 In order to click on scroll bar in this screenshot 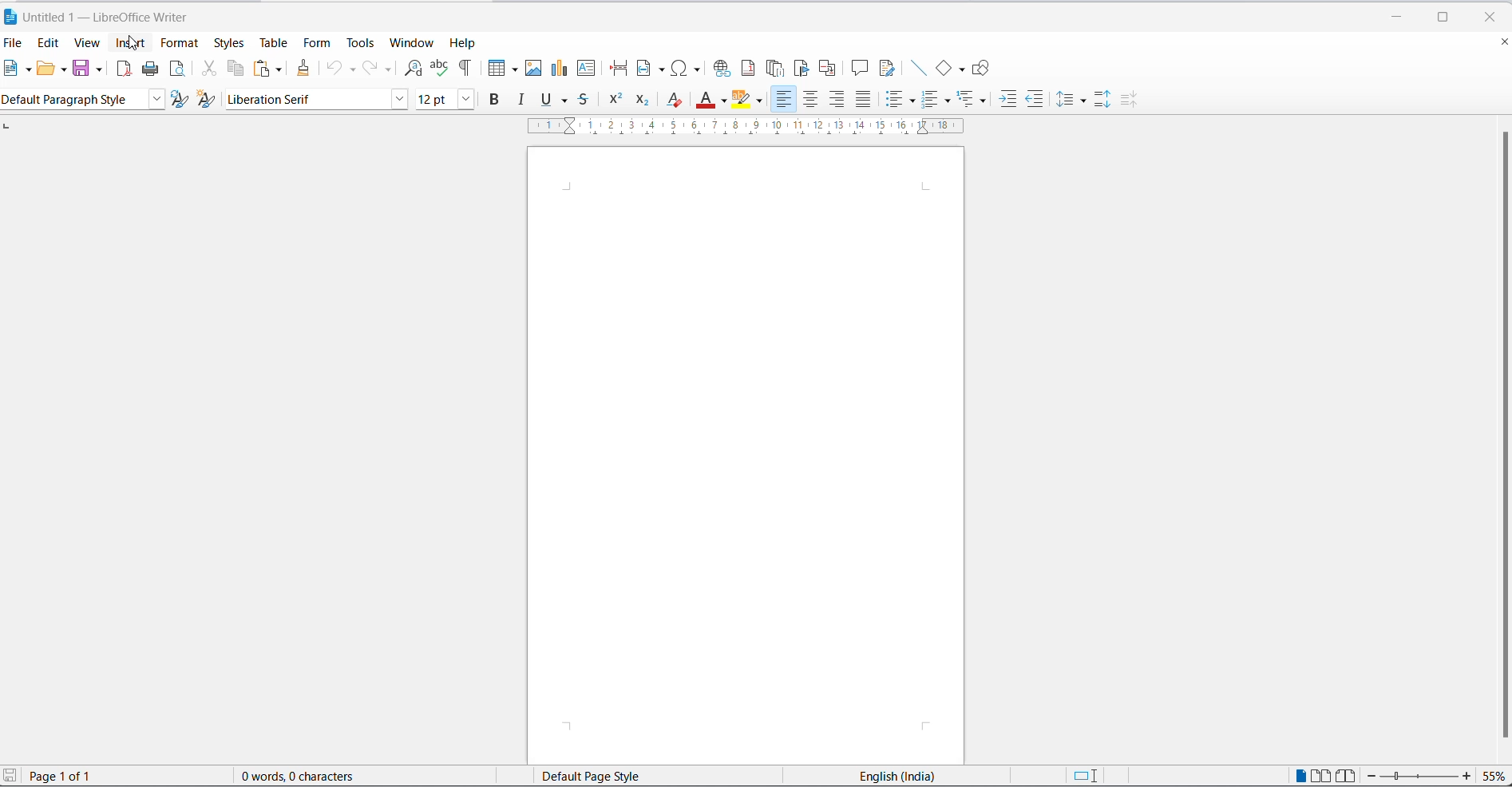, I will do `click(1498, 436)`.